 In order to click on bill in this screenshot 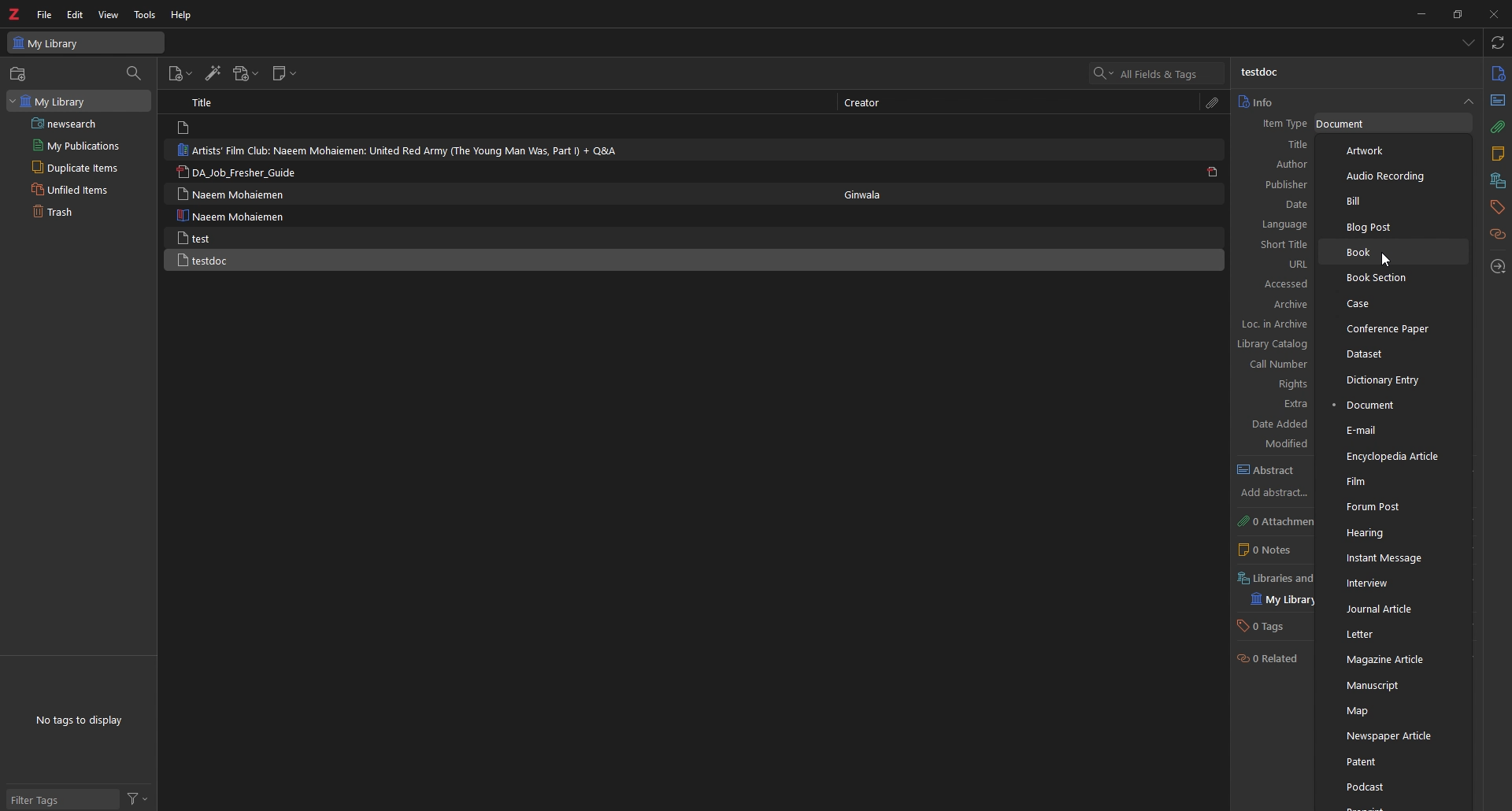, I will do `click(1392, 200)`.